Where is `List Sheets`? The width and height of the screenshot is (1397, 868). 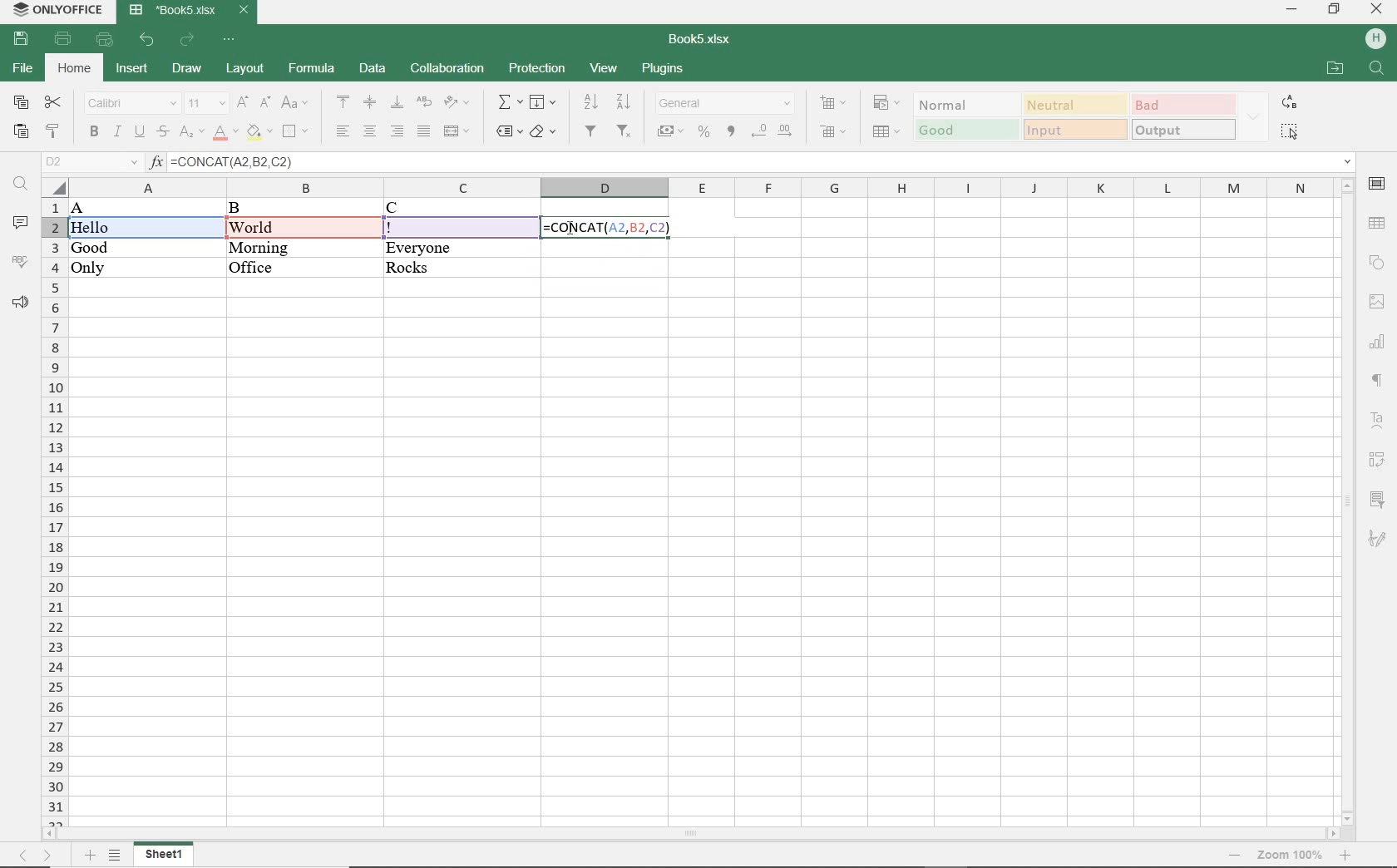 List Sheets is located at coordinates (116, 853).